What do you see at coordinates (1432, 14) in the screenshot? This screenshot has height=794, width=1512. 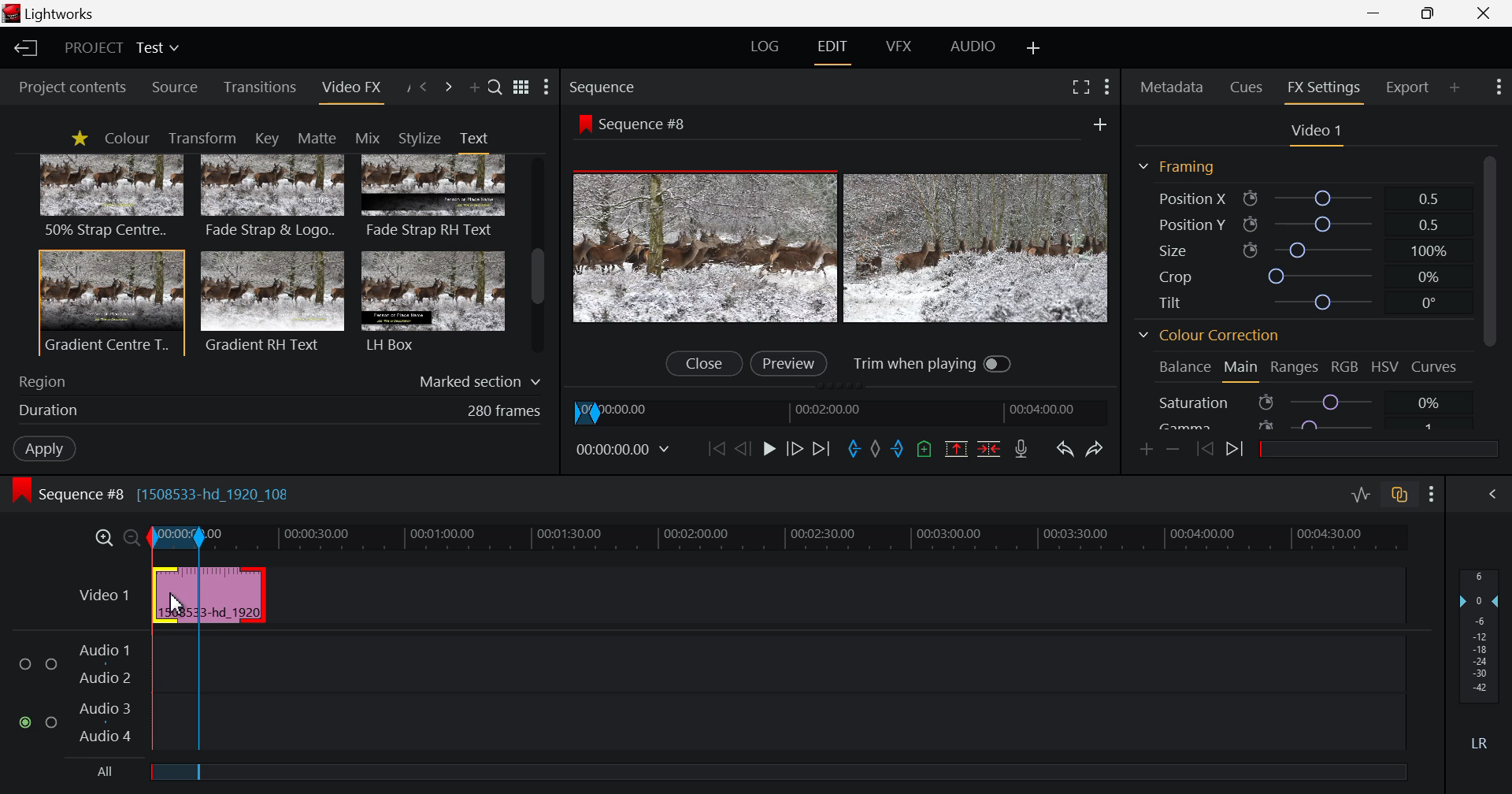 I see `Minimize` at bounding box center [1432, 14].